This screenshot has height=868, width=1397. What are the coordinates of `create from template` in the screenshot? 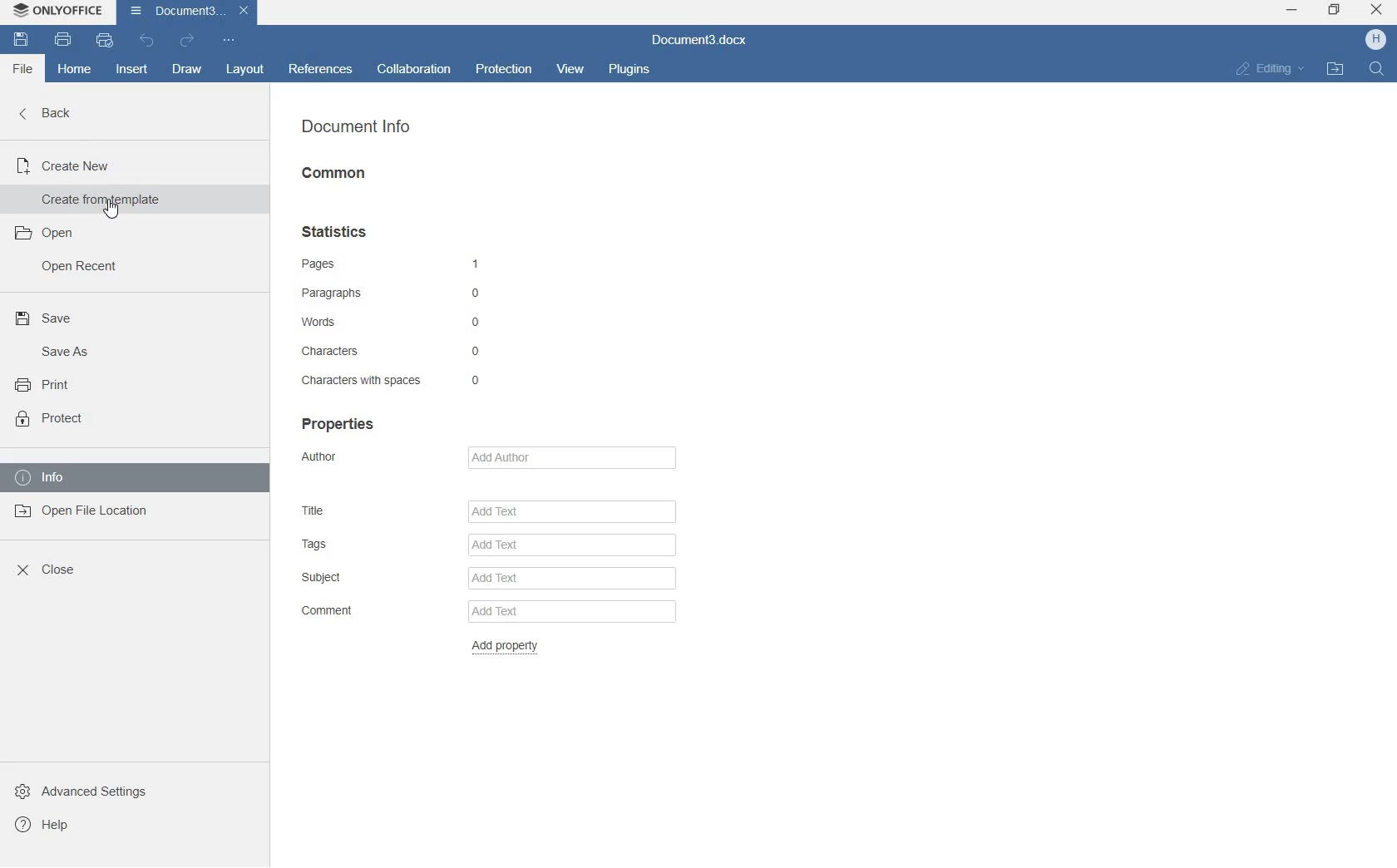 It's located at (111, 199).